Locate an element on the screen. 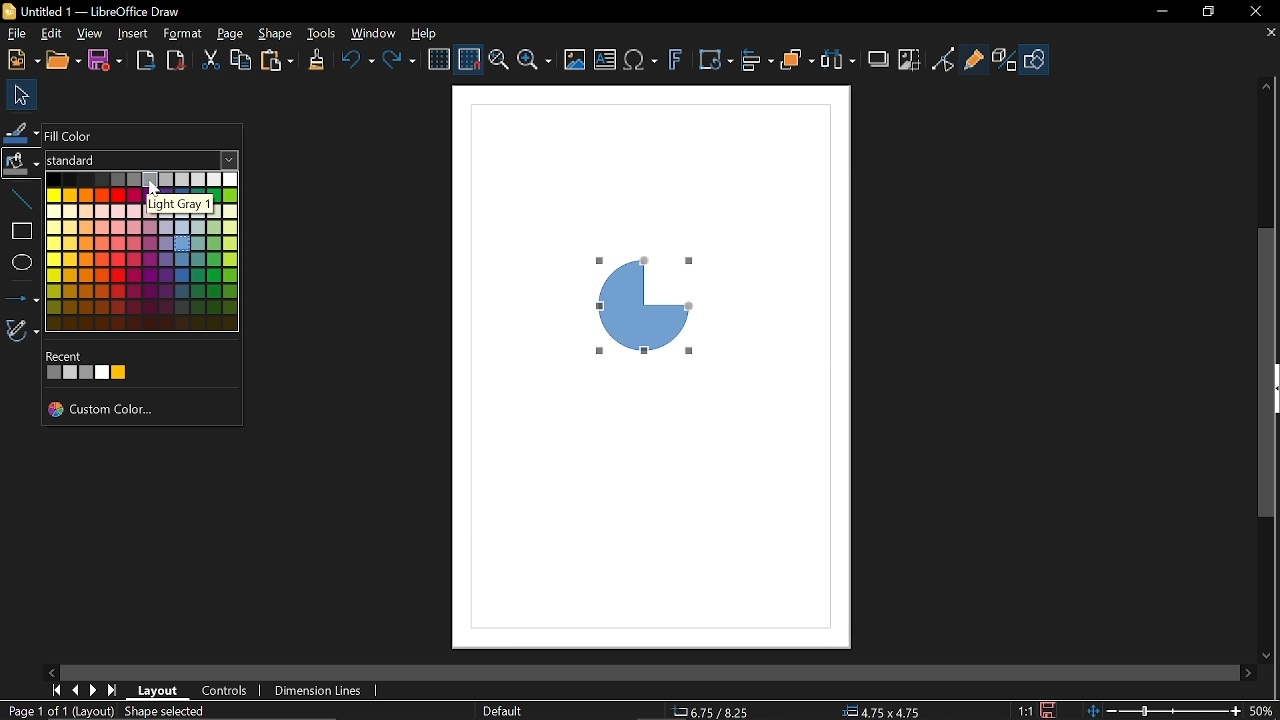  Controls is located at coordinates (225, 691).